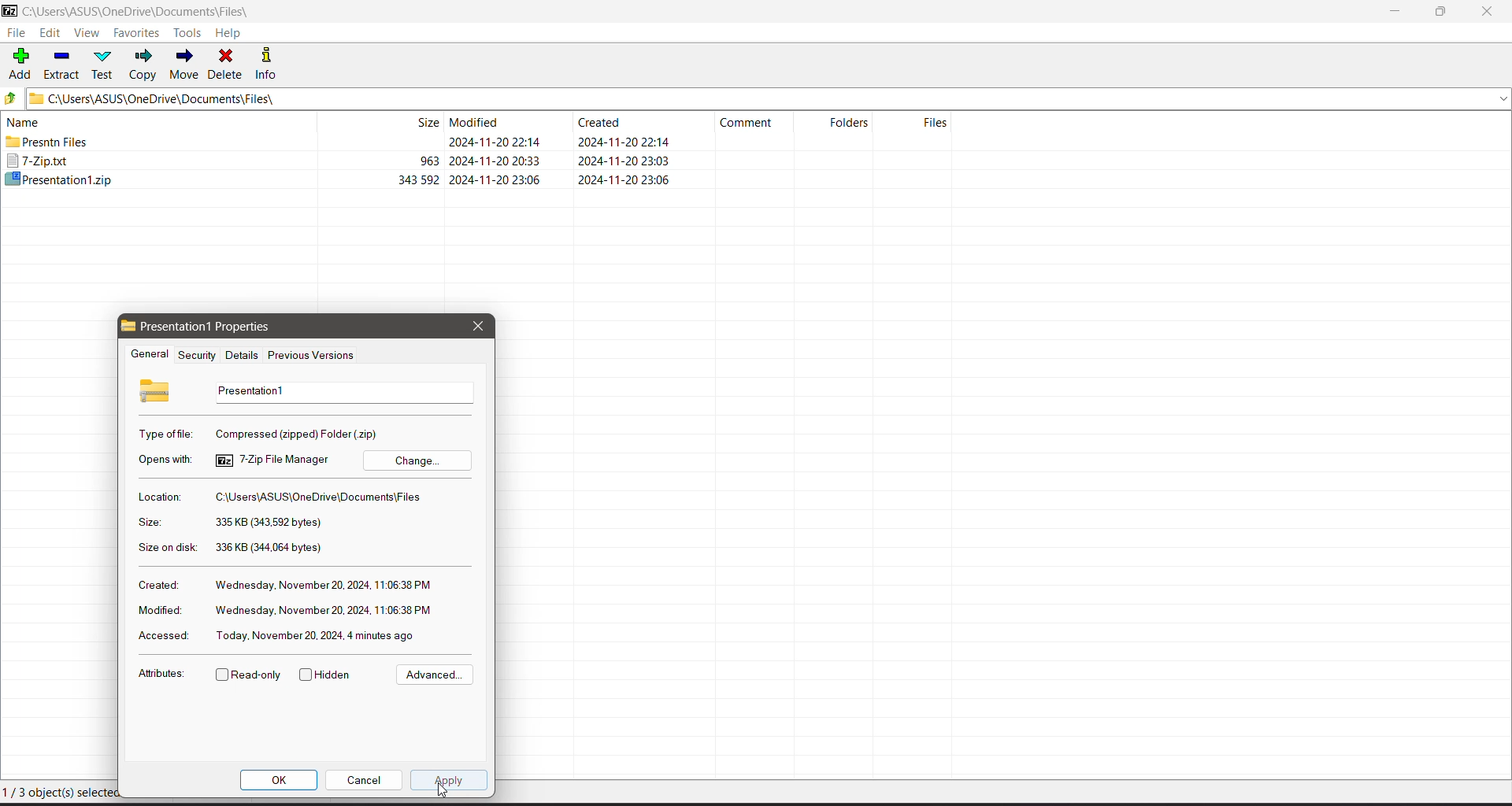 The width and height of the screenshot is (1512, 806). I want to click on Default app changed, so click(272, 460).